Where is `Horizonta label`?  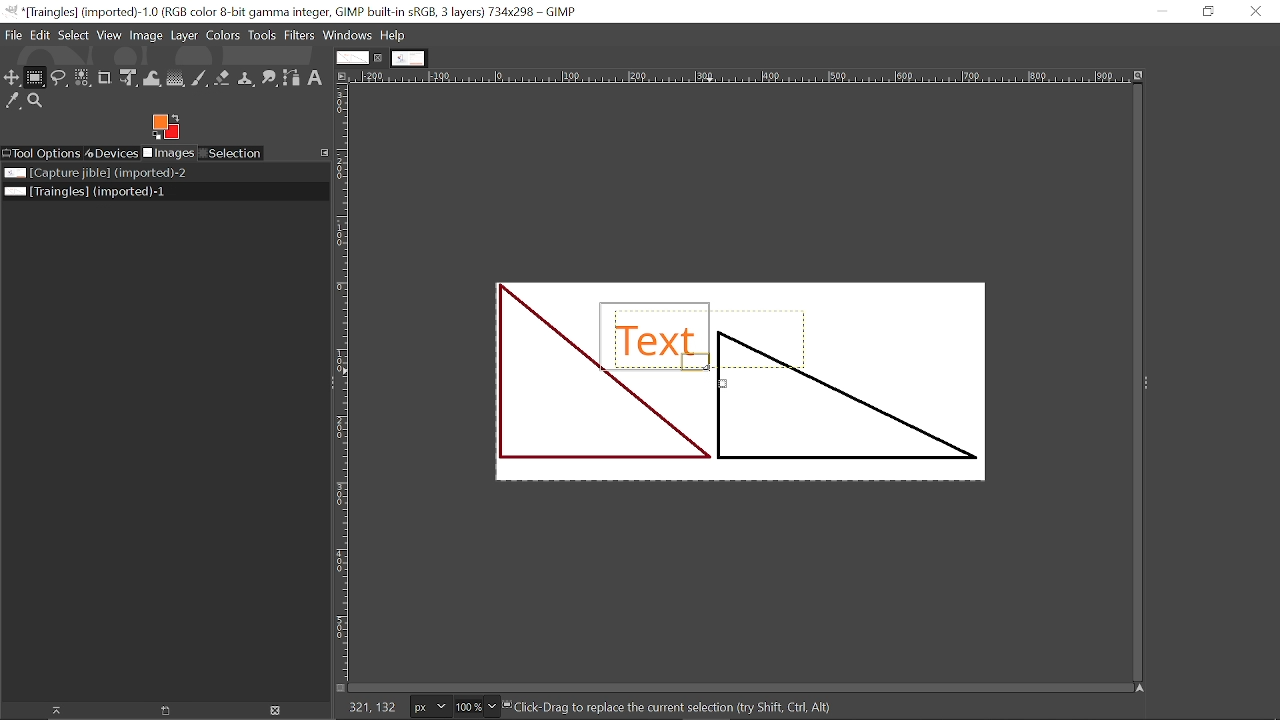
Horizonta label is located at coordinates (740, 77).